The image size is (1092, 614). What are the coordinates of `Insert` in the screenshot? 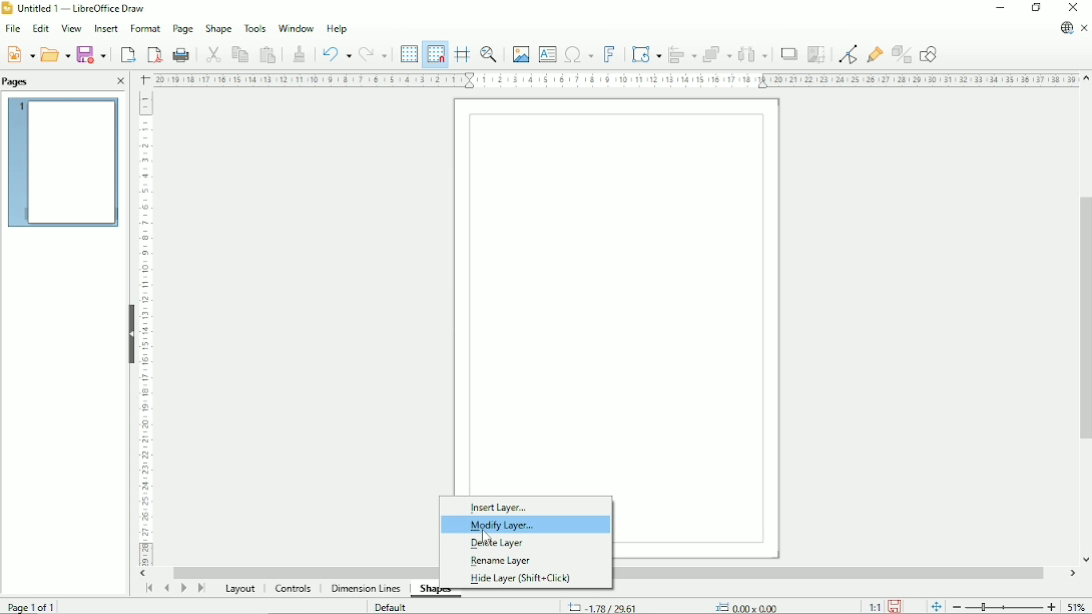 It's located at (107, 28).